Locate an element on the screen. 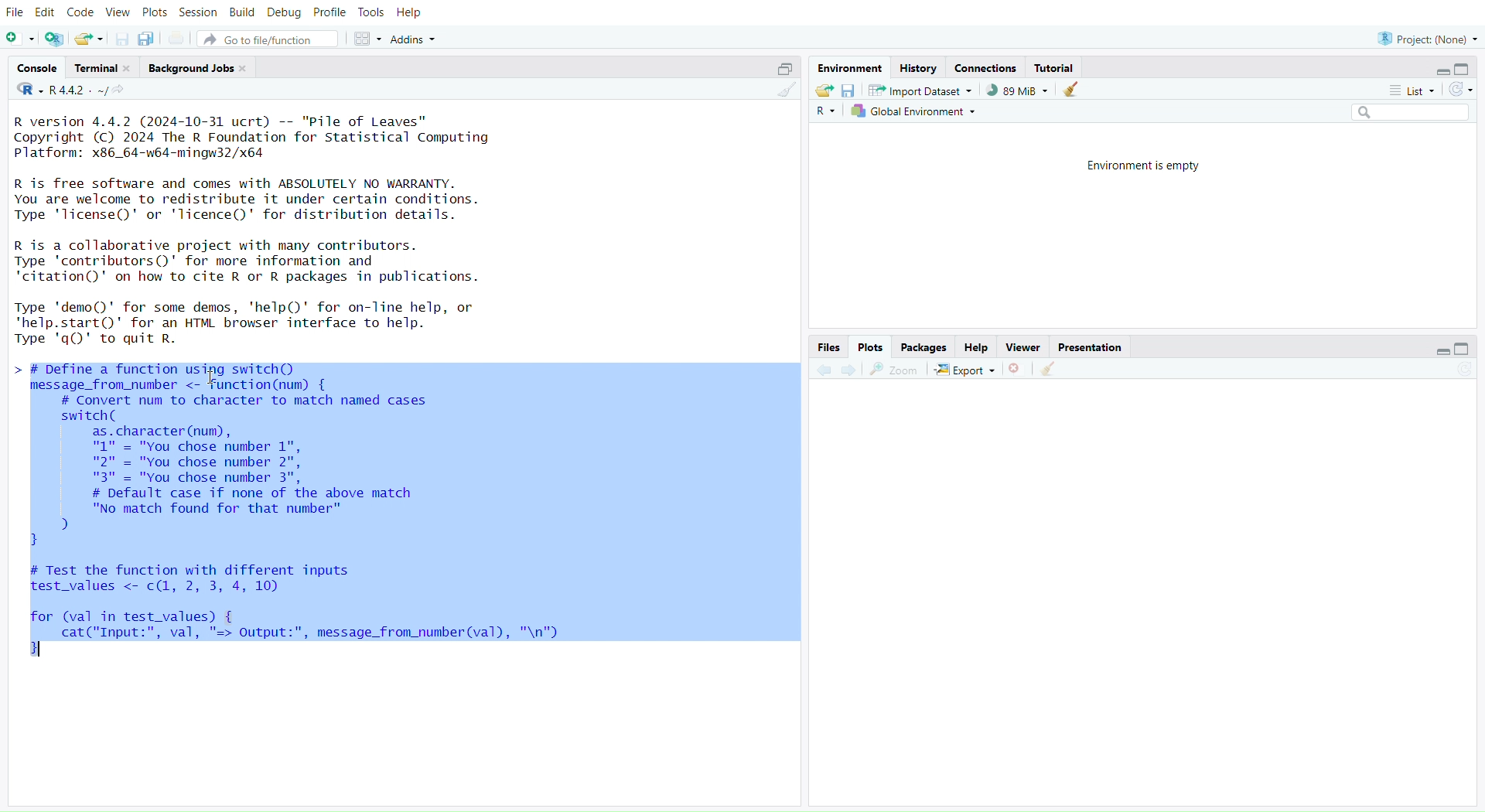 Image resolution: width=1485 pixels, height=812 pixels. Clear console (Ctrl +L) is located at coordinates (783, 92).